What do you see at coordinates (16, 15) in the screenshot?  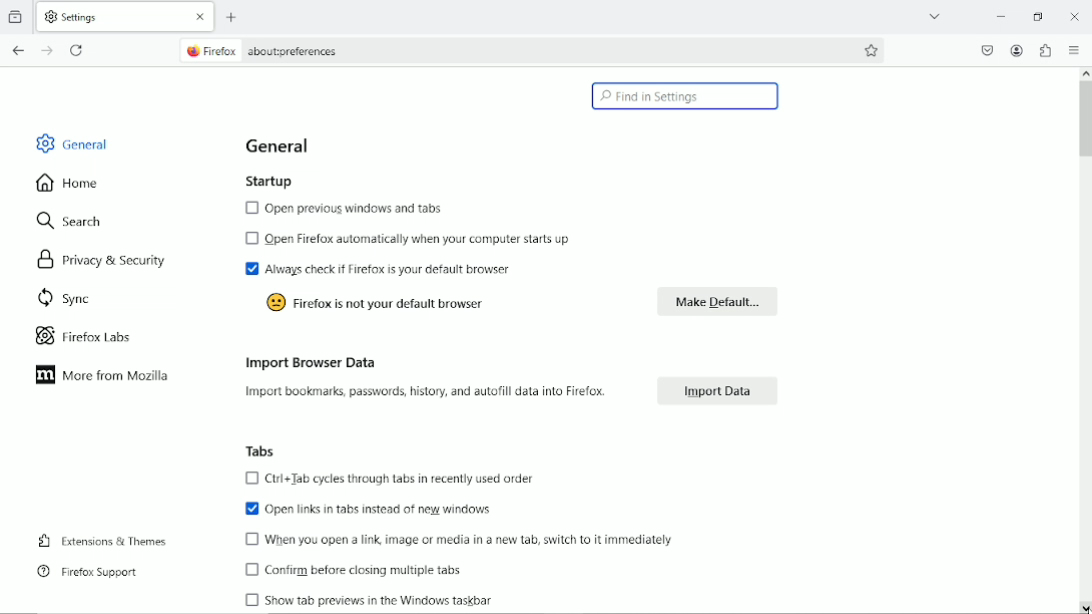 I see `view recent browsing` at bounding box center [16, 15].